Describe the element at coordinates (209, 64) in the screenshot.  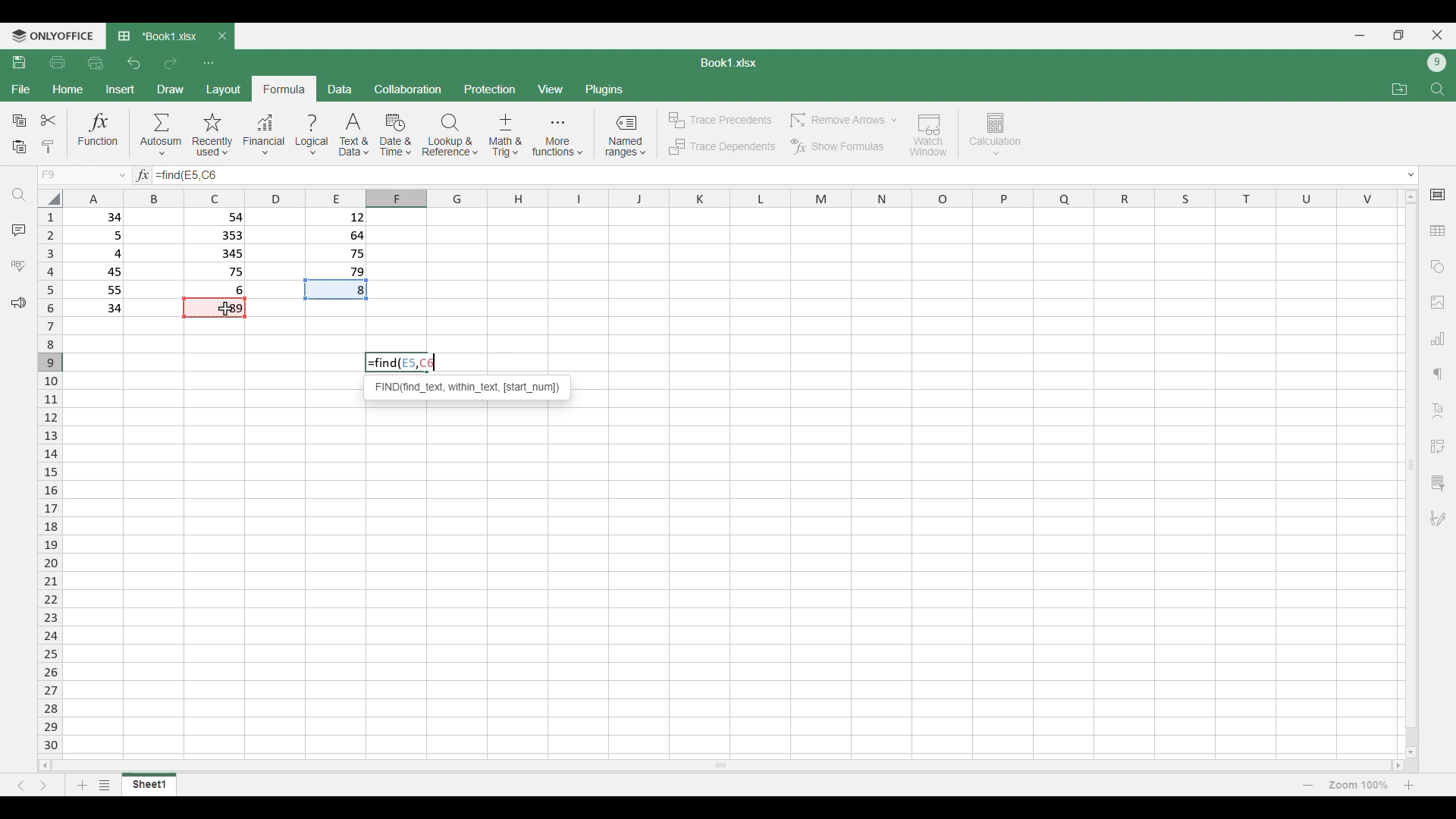
I see `Customize quick access toolbar` at that location.